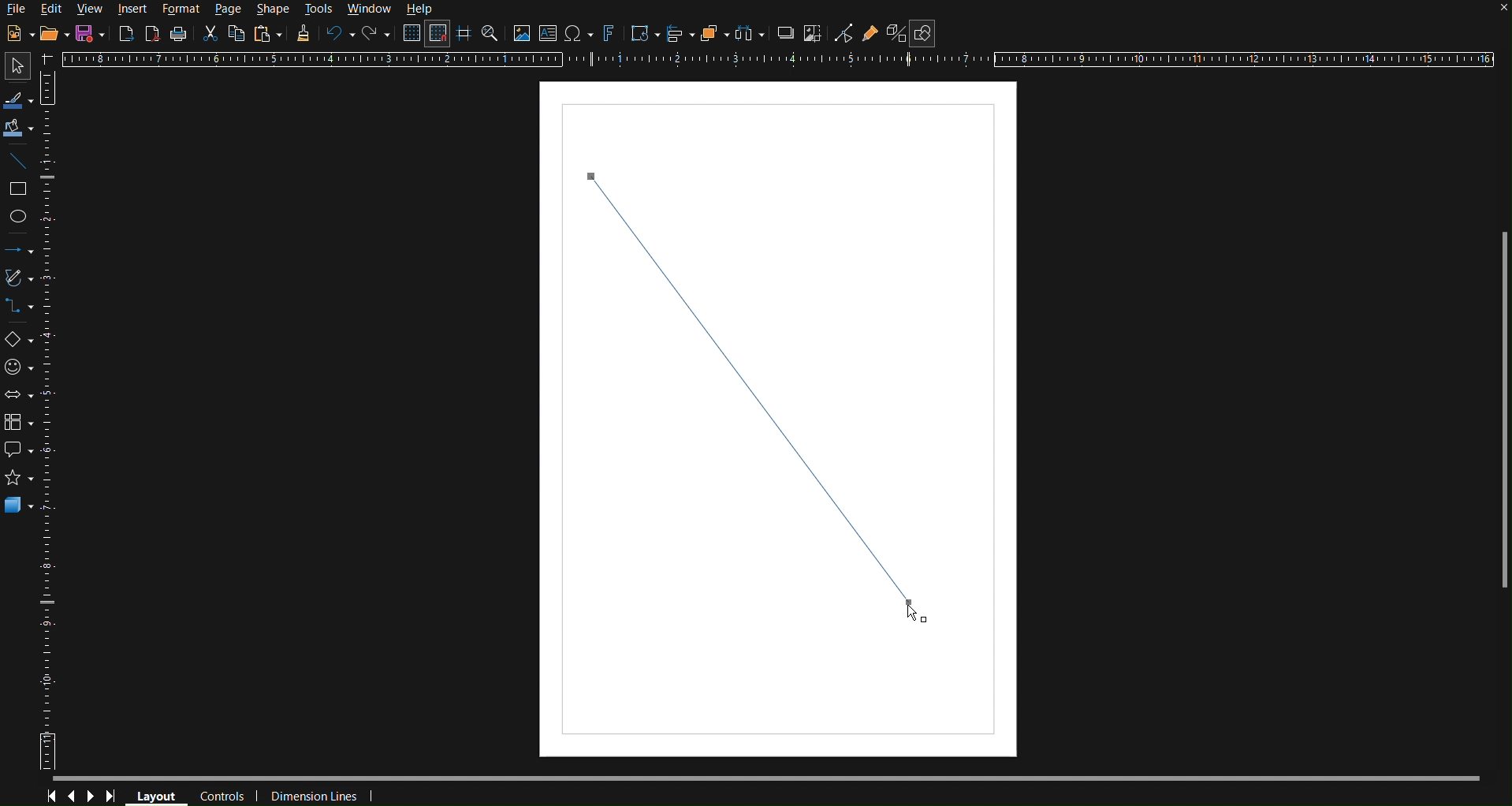 This screenshot has width=1512, height=806. Describe the element at coordinates (643, 34) in the screenshot. I see `Transformations` at that location.